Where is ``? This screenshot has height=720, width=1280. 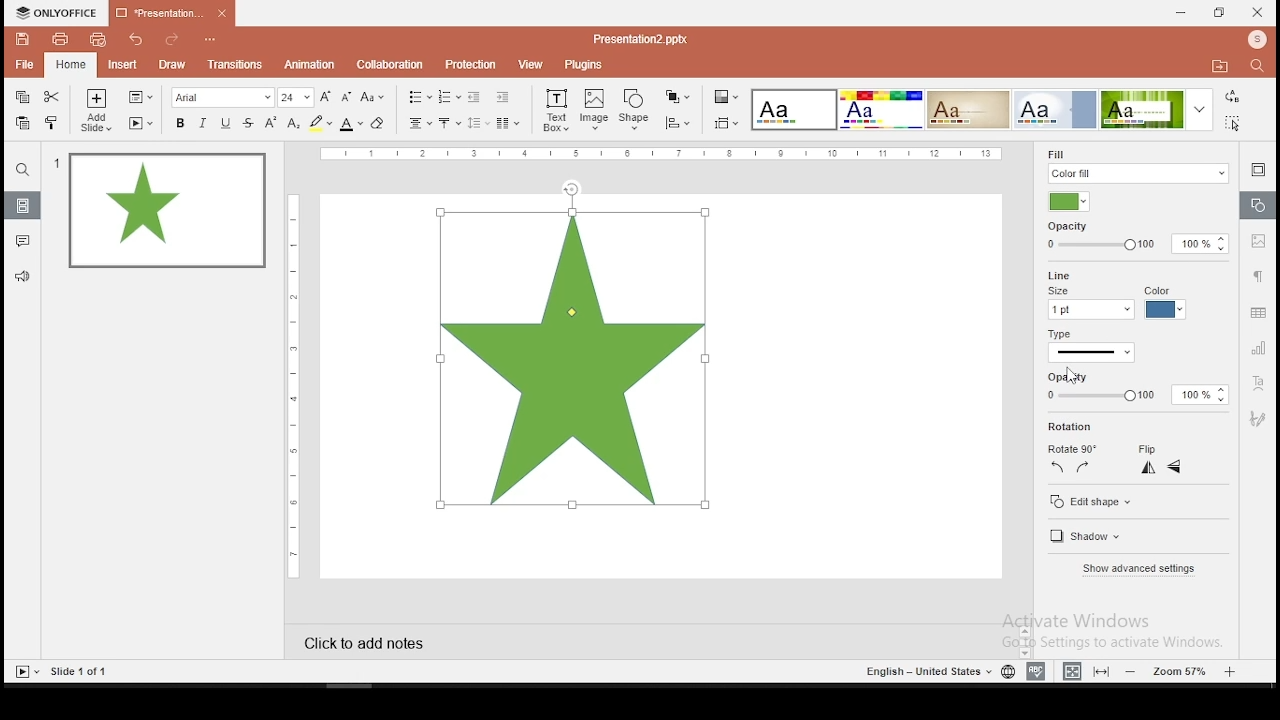  is located at coordinates (880, 110).